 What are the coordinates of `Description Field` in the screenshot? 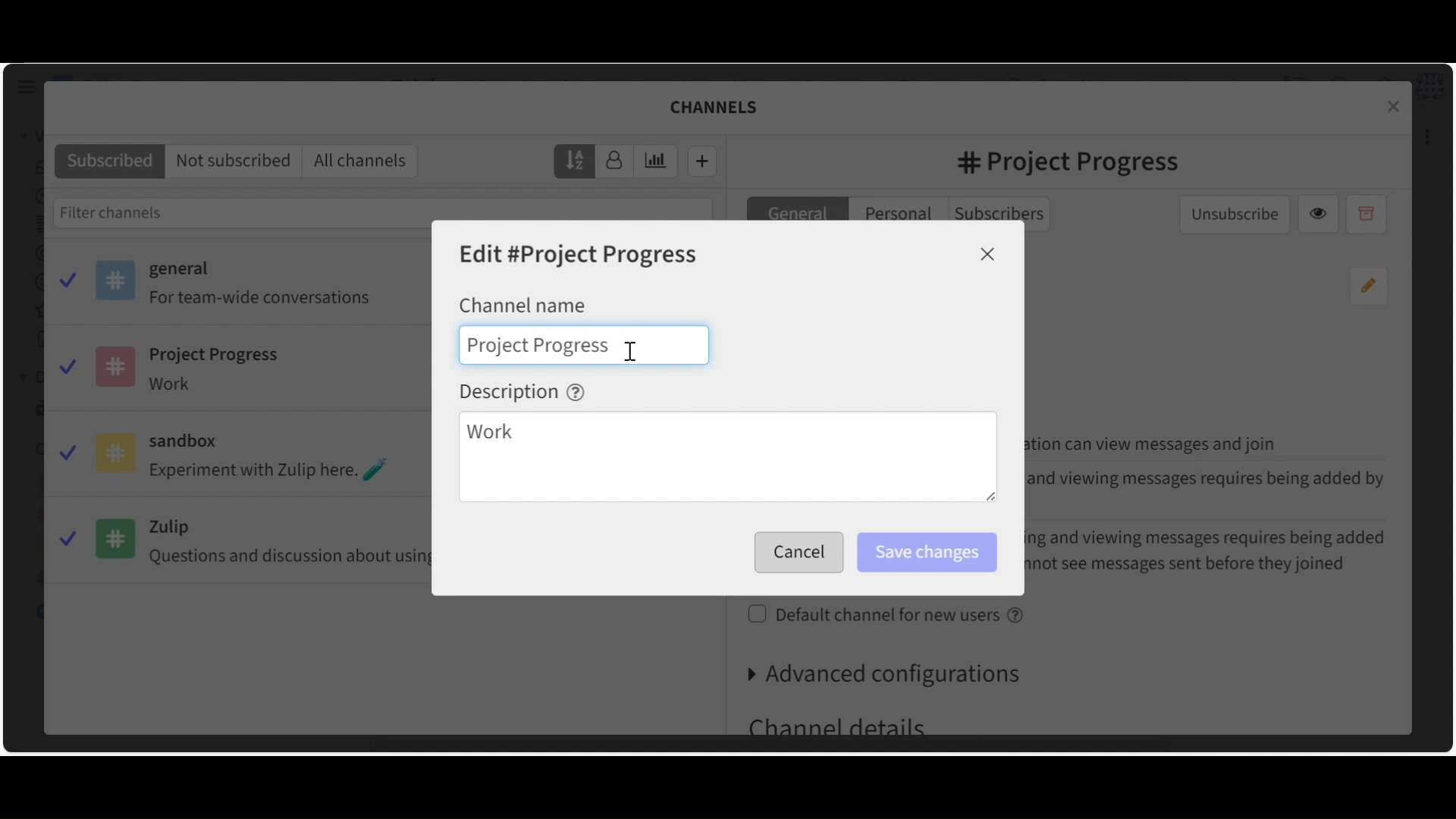 It's located at (727, 459).